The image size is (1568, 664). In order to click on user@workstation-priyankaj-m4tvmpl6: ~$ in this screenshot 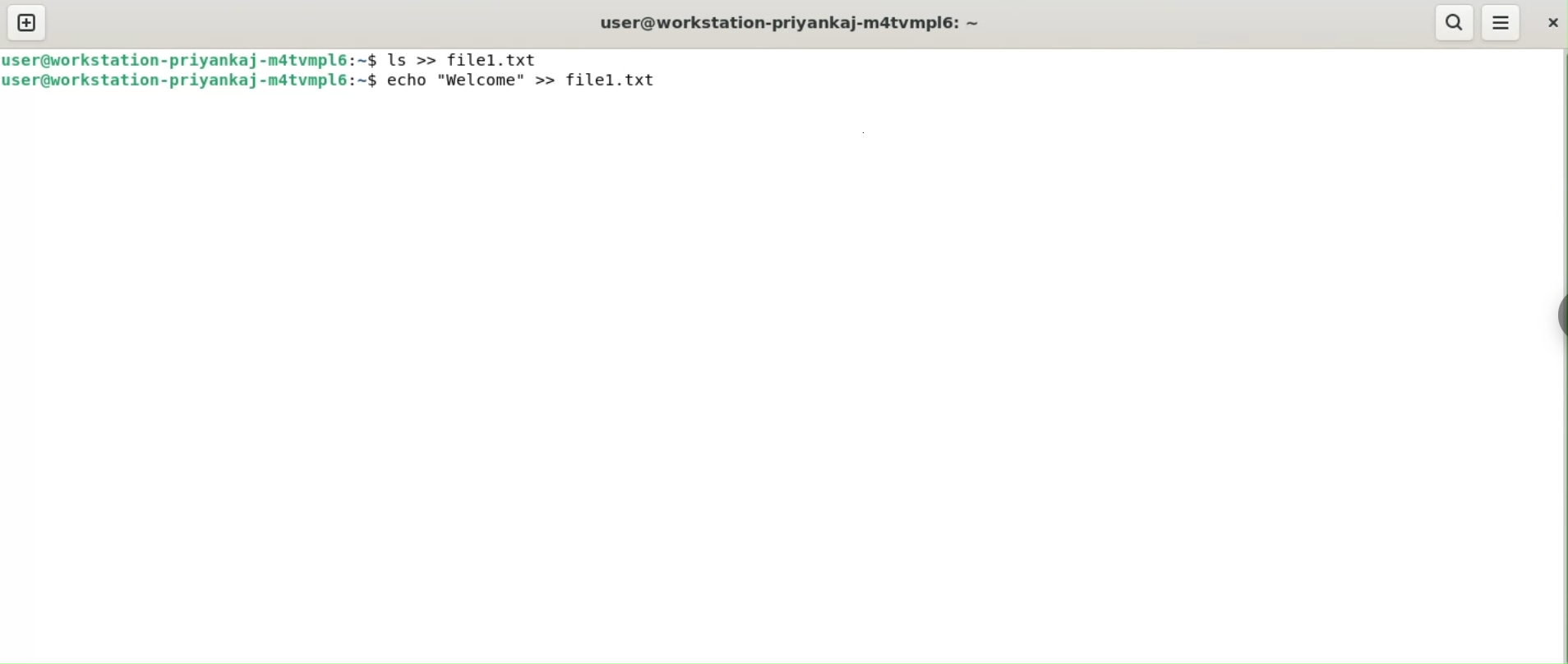, I will do `click(192, 81)`.